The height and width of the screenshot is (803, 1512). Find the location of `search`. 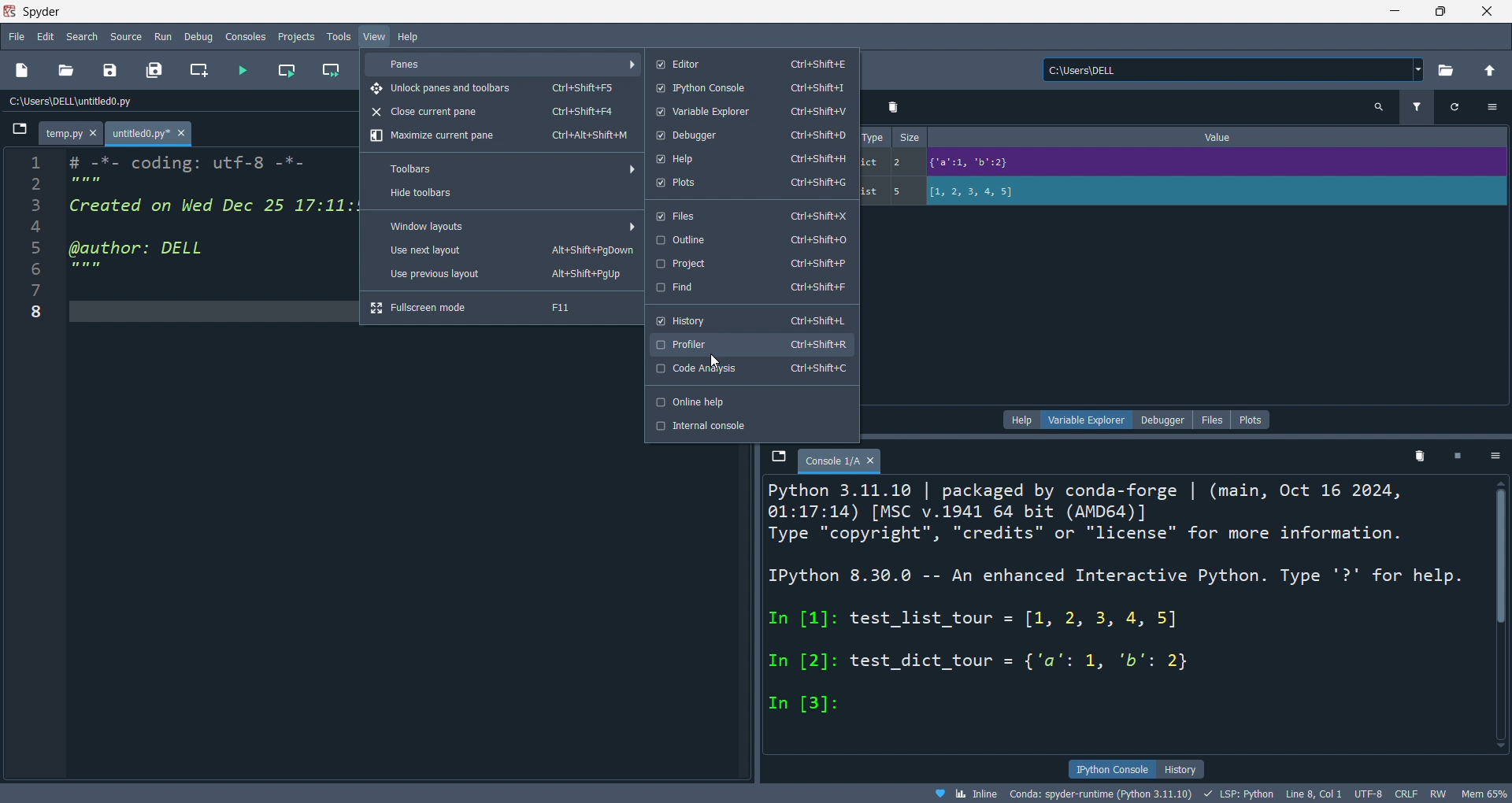

search is located at coordinates (83, 36).